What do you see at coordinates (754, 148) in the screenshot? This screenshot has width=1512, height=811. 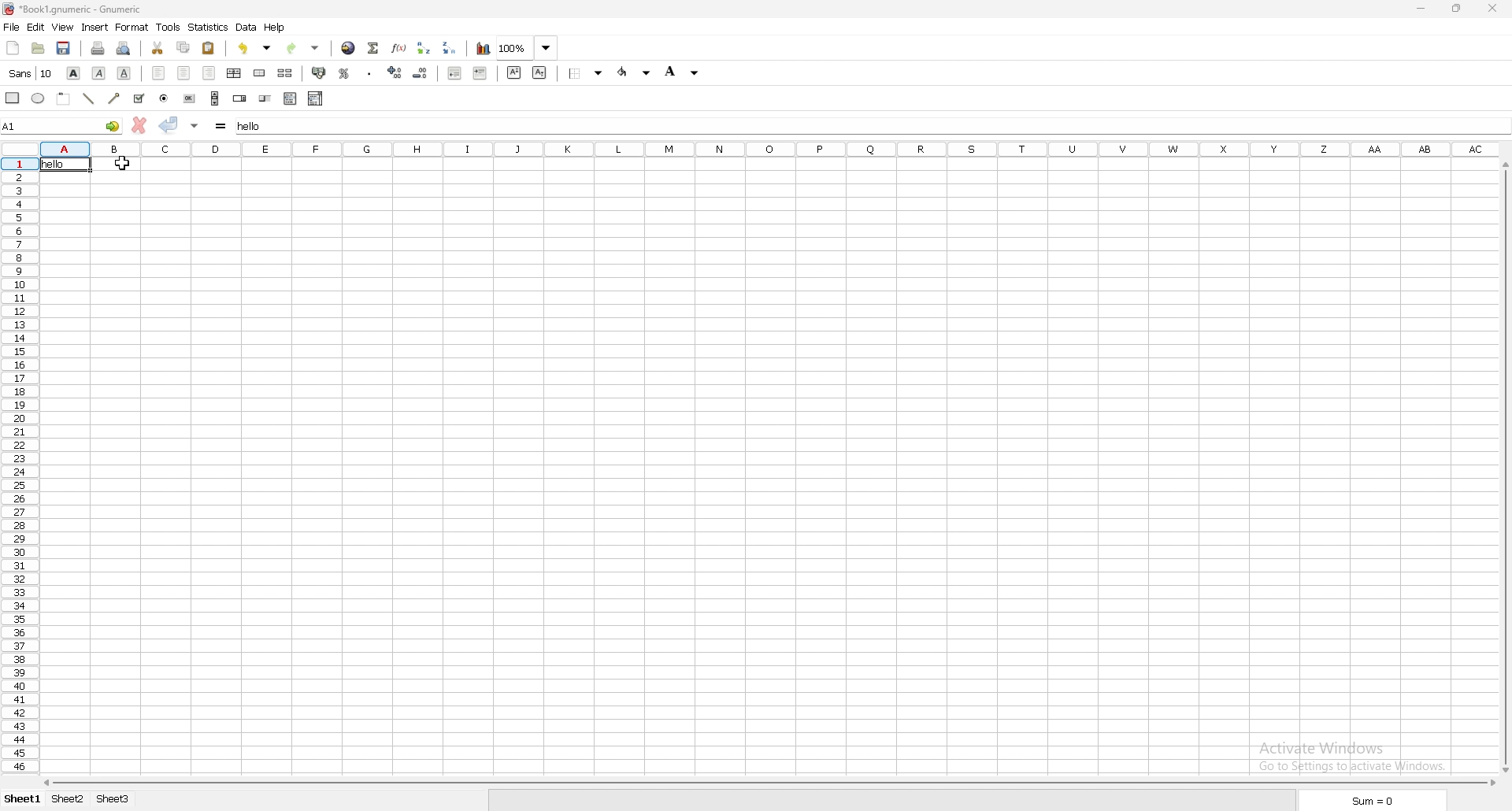 I see `column` at bounding box center [754, 148].